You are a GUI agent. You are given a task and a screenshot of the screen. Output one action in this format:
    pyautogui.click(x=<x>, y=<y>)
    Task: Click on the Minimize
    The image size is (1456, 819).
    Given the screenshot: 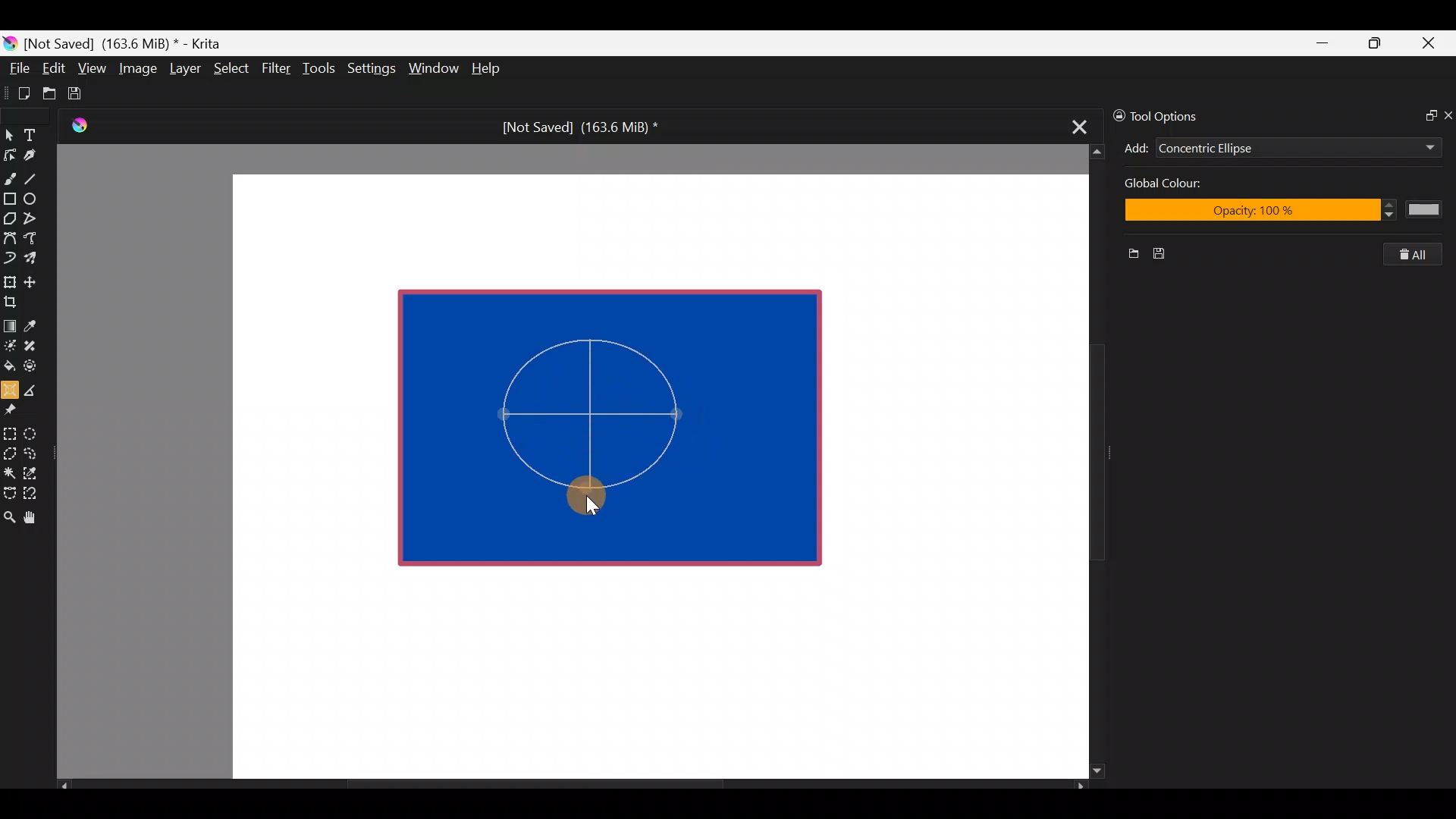 What is the action you would take?
    pyautogui.click(x=1323, y=43)
    